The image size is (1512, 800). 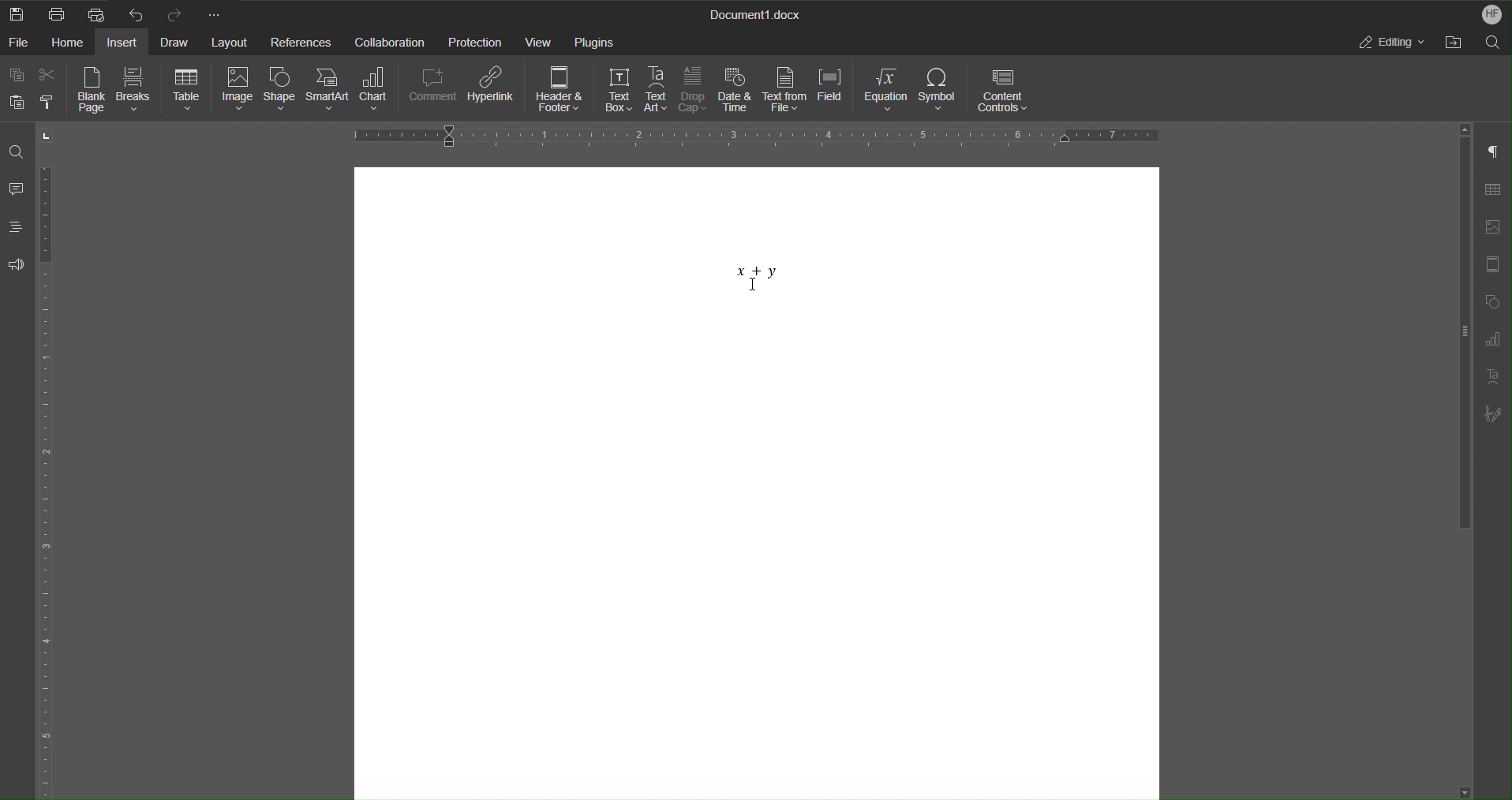 I want to click on Plugins, so click(x=596, y=40).